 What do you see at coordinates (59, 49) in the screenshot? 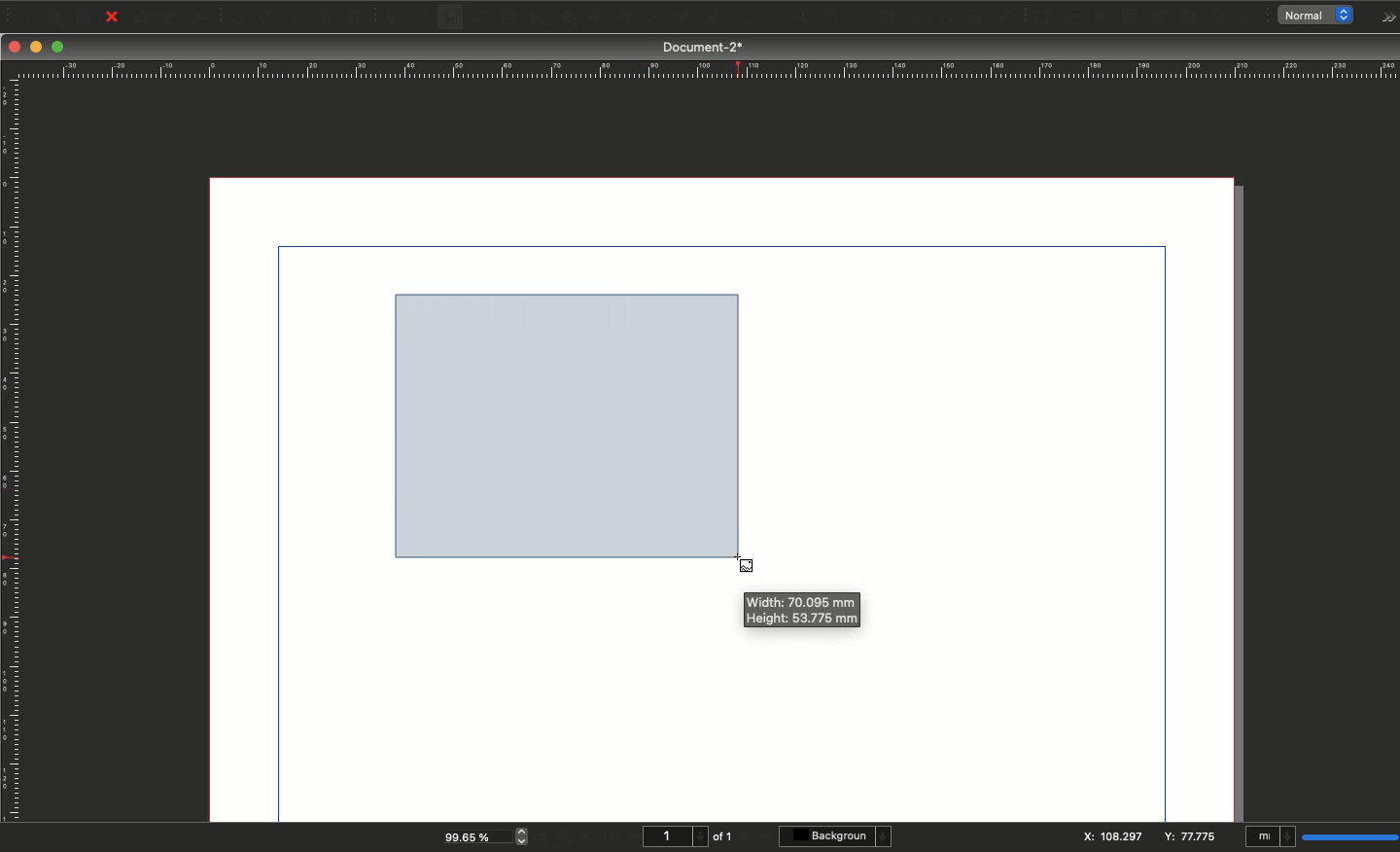
I see `Maximize` at bounding box center [59, 49].